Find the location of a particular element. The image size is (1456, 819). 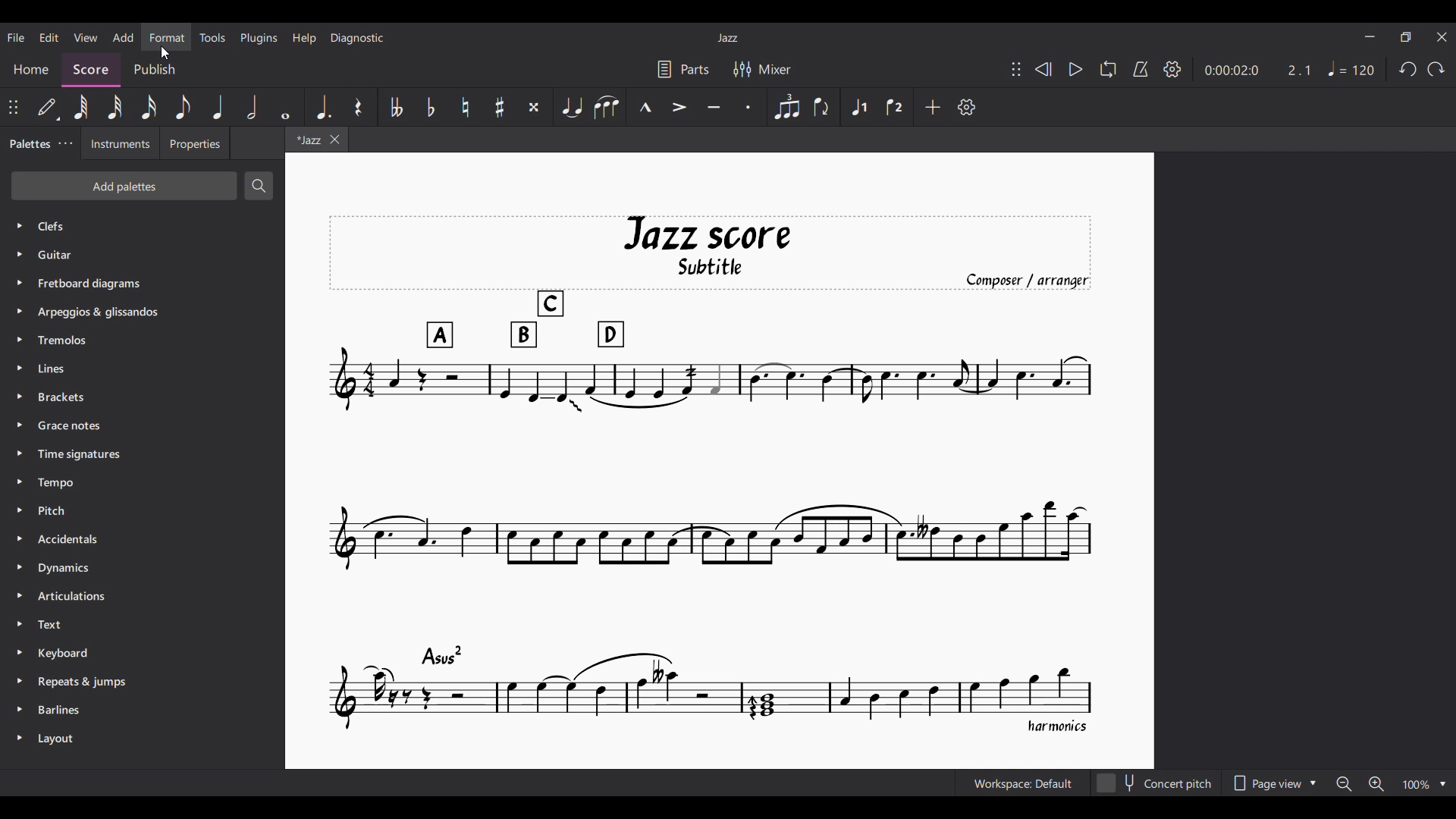

Plugins menu is located at coordinates (259, 38).